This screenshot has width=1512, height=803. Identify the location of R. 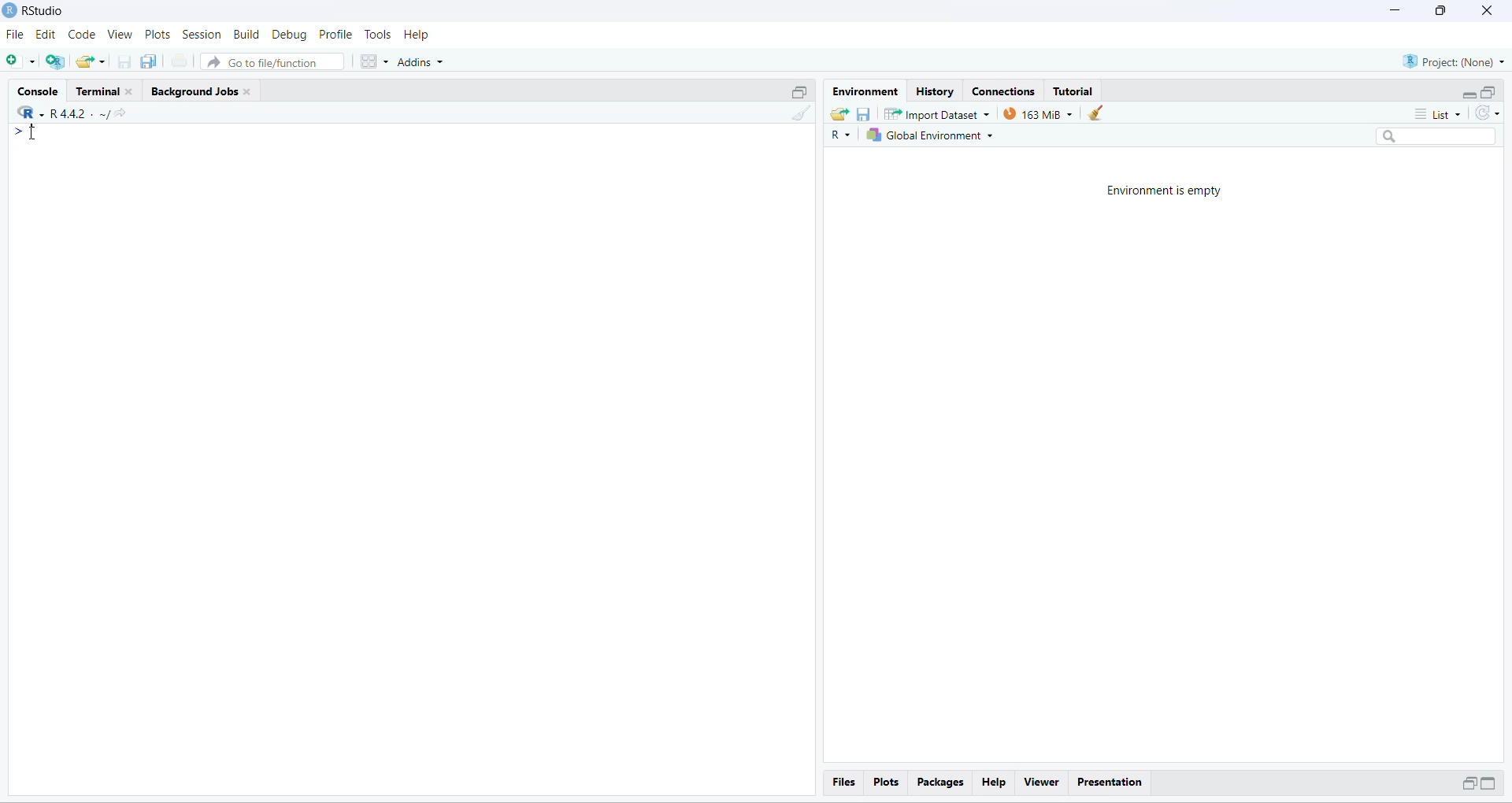
(839, 135).